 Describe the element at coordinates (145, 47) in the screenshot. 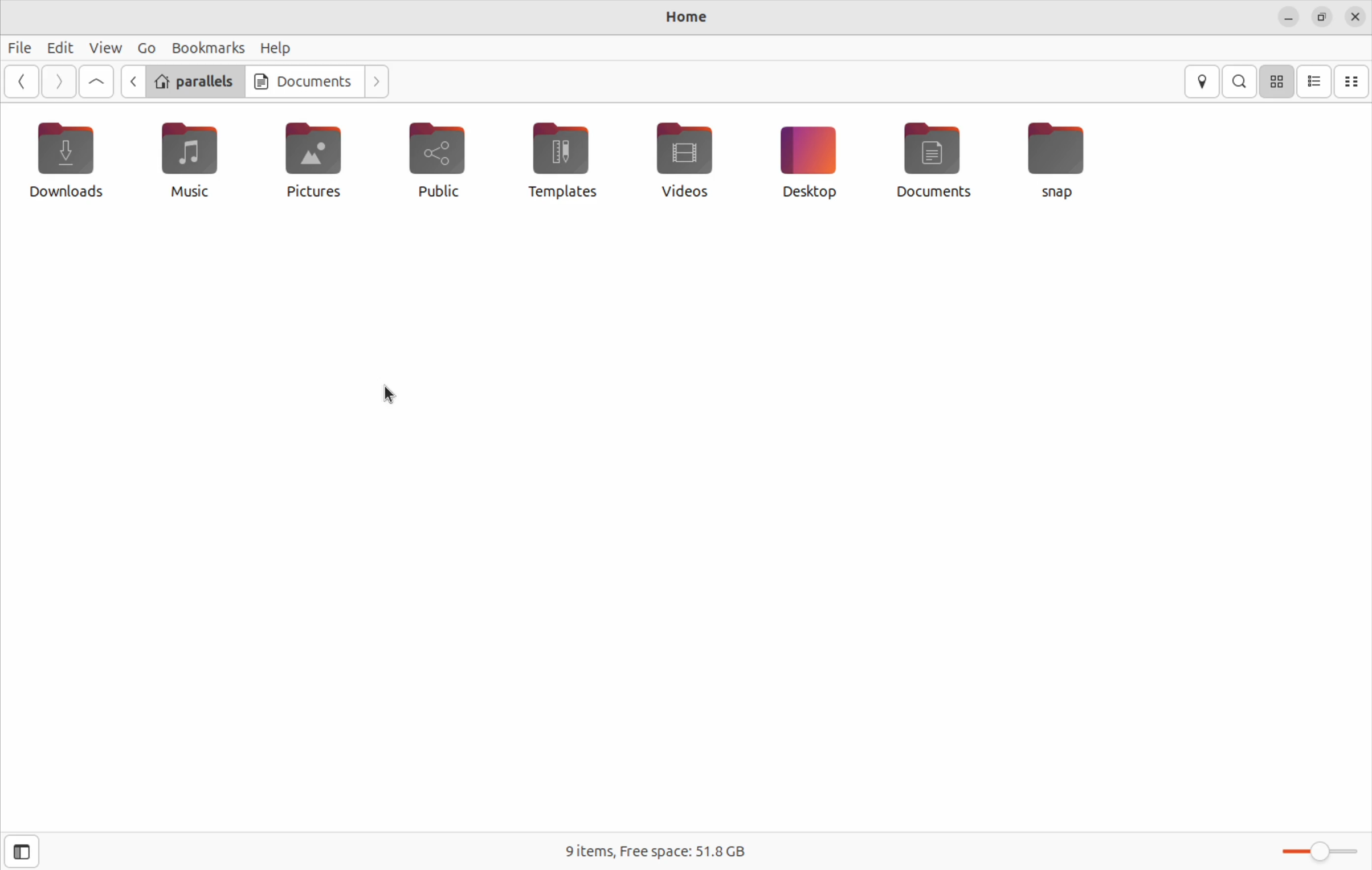

I see `Go` at that location.